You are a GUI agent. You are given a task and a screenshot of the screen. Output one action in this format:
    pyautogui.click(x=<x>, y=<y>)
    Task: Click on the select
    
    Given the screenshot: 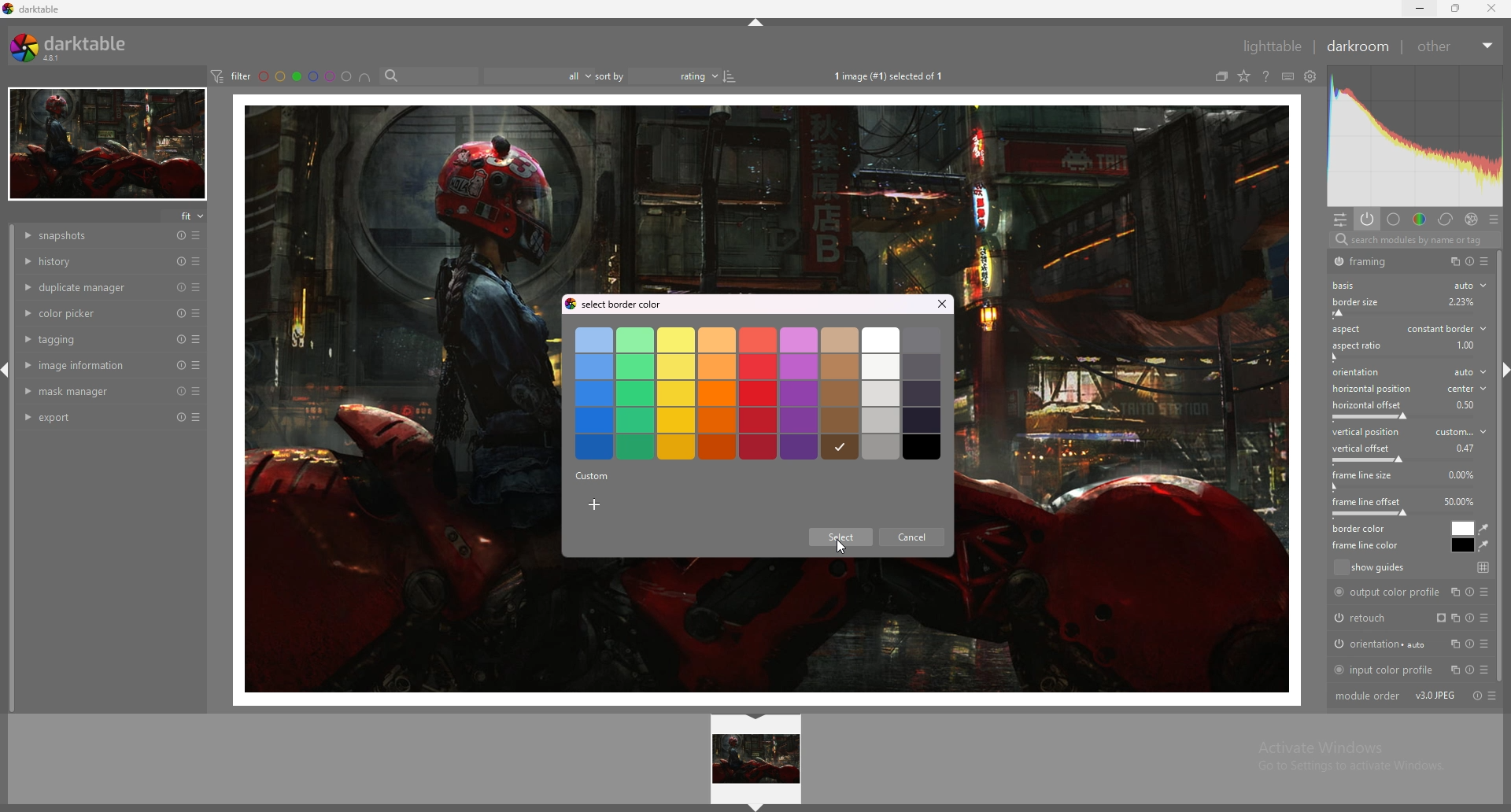 What is the action you would take?
    pyautogui.click(x=842, y=538)
    